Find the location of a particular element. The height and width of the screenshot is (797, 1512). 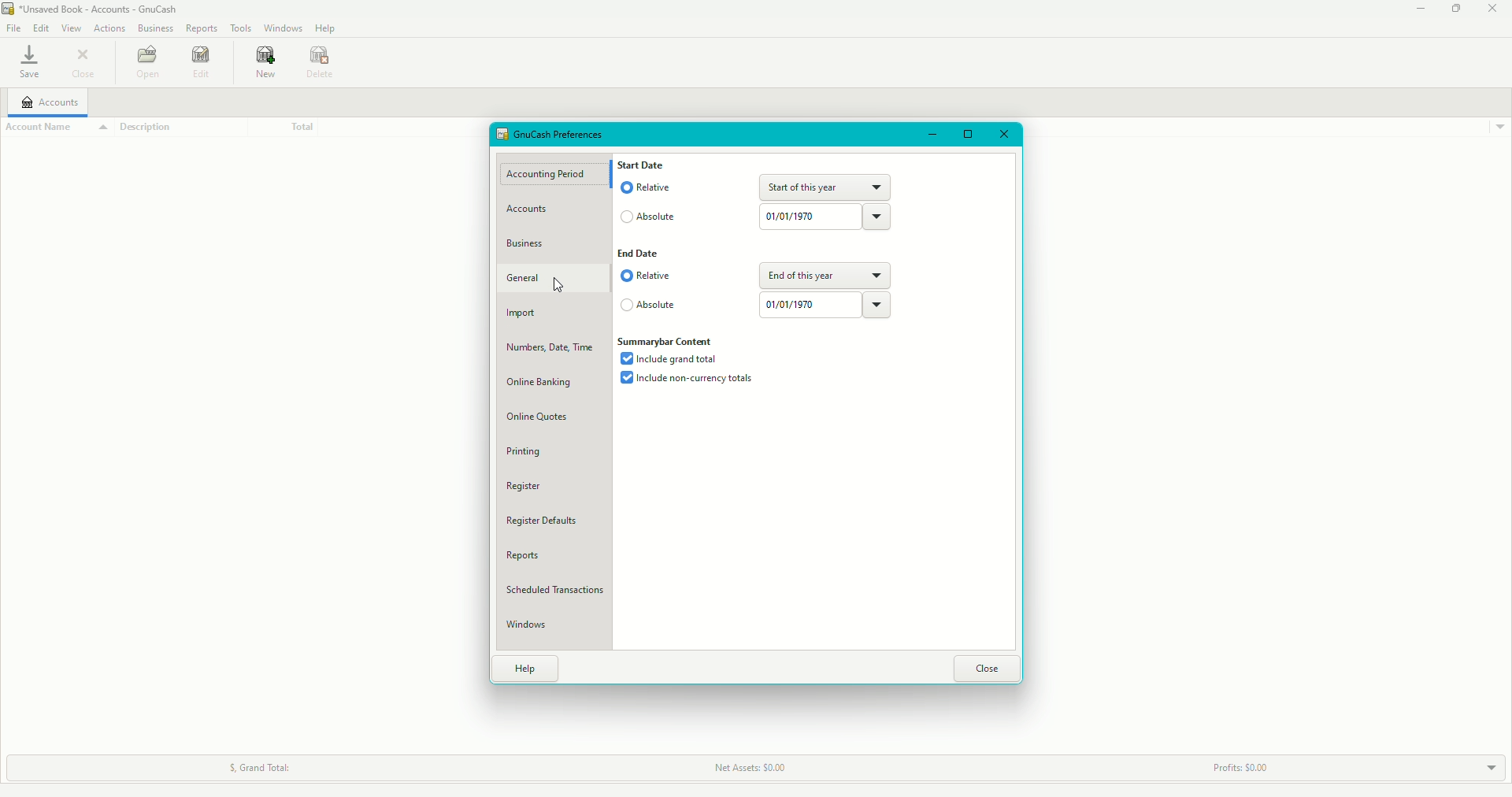

Help is located at coordinates (526, 669).